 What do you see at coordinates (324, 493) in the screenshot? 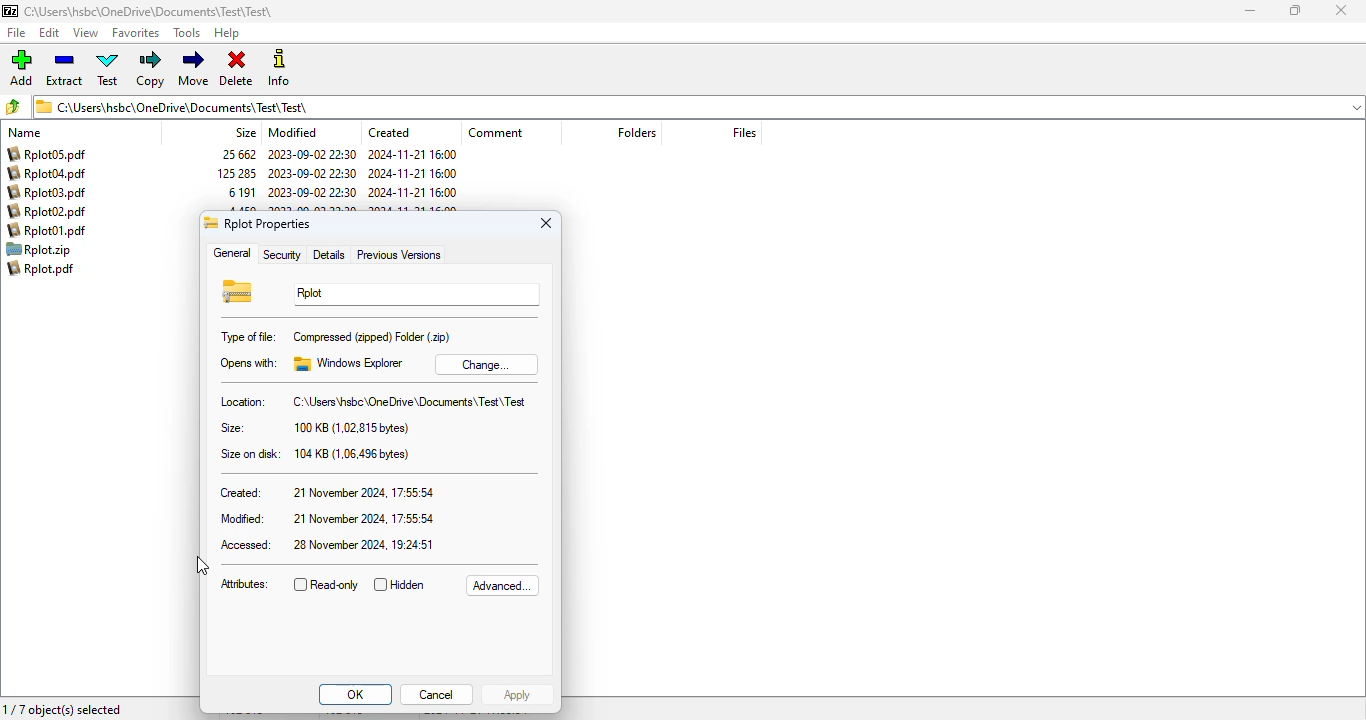
I see `created: 21 november 2024, 15:55:54` at bounding box center [324, 493].